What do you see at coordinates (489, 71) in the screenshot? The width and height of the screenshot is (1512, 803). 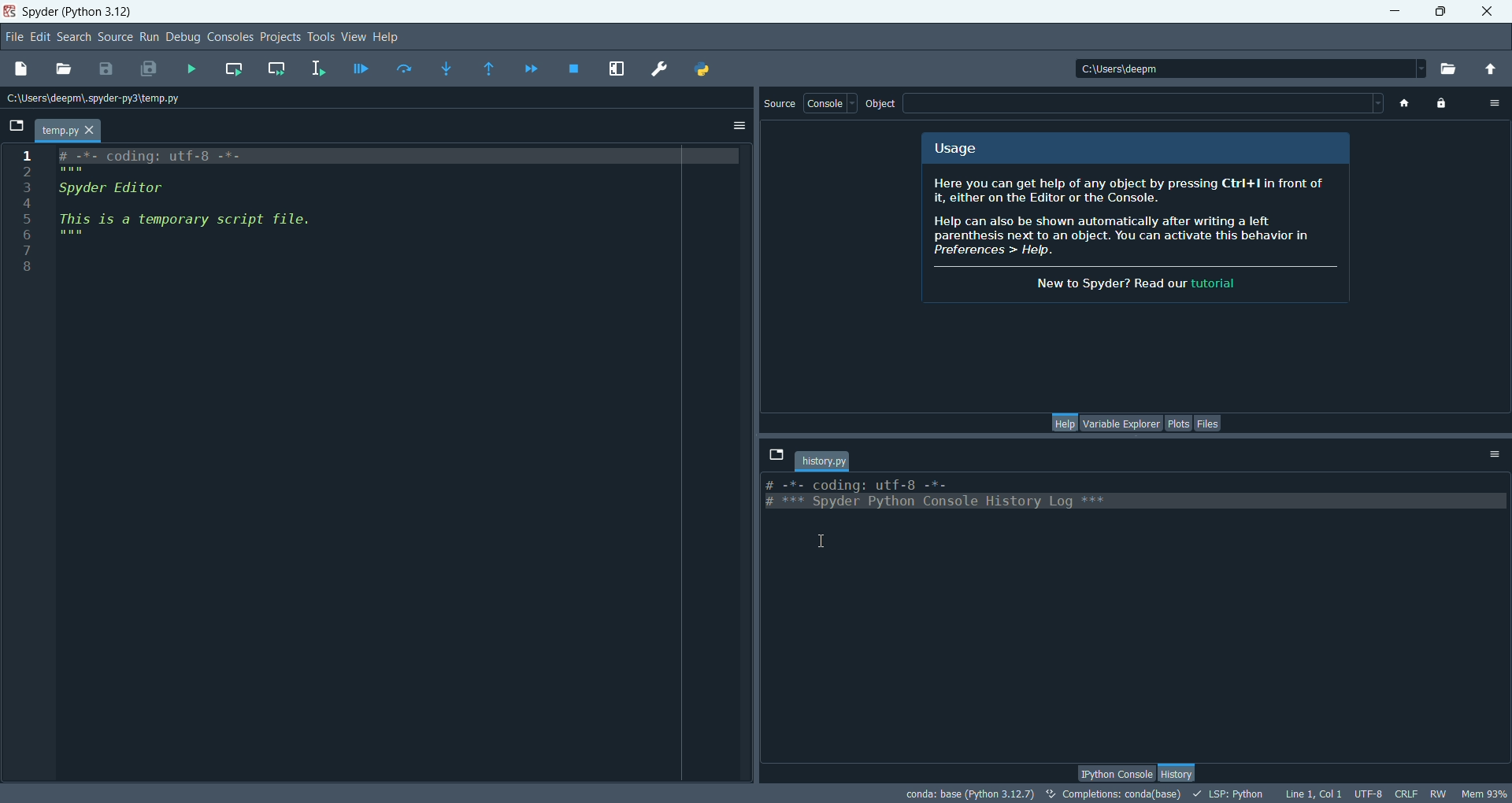 I see `run until current function returns` at bounding box center [489, 71].